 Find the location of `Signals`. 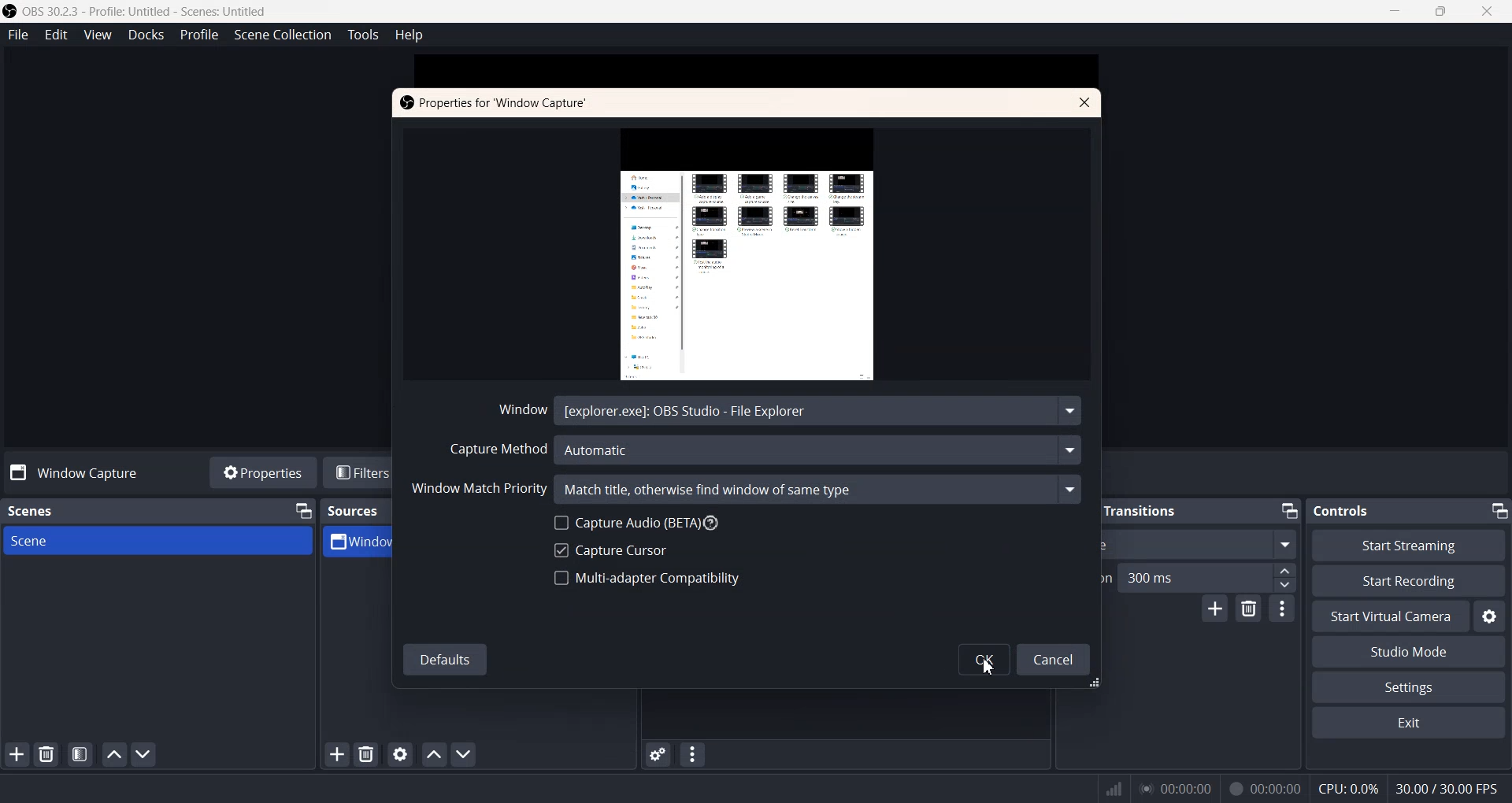

Signals is located at coordinates (1107, 789).